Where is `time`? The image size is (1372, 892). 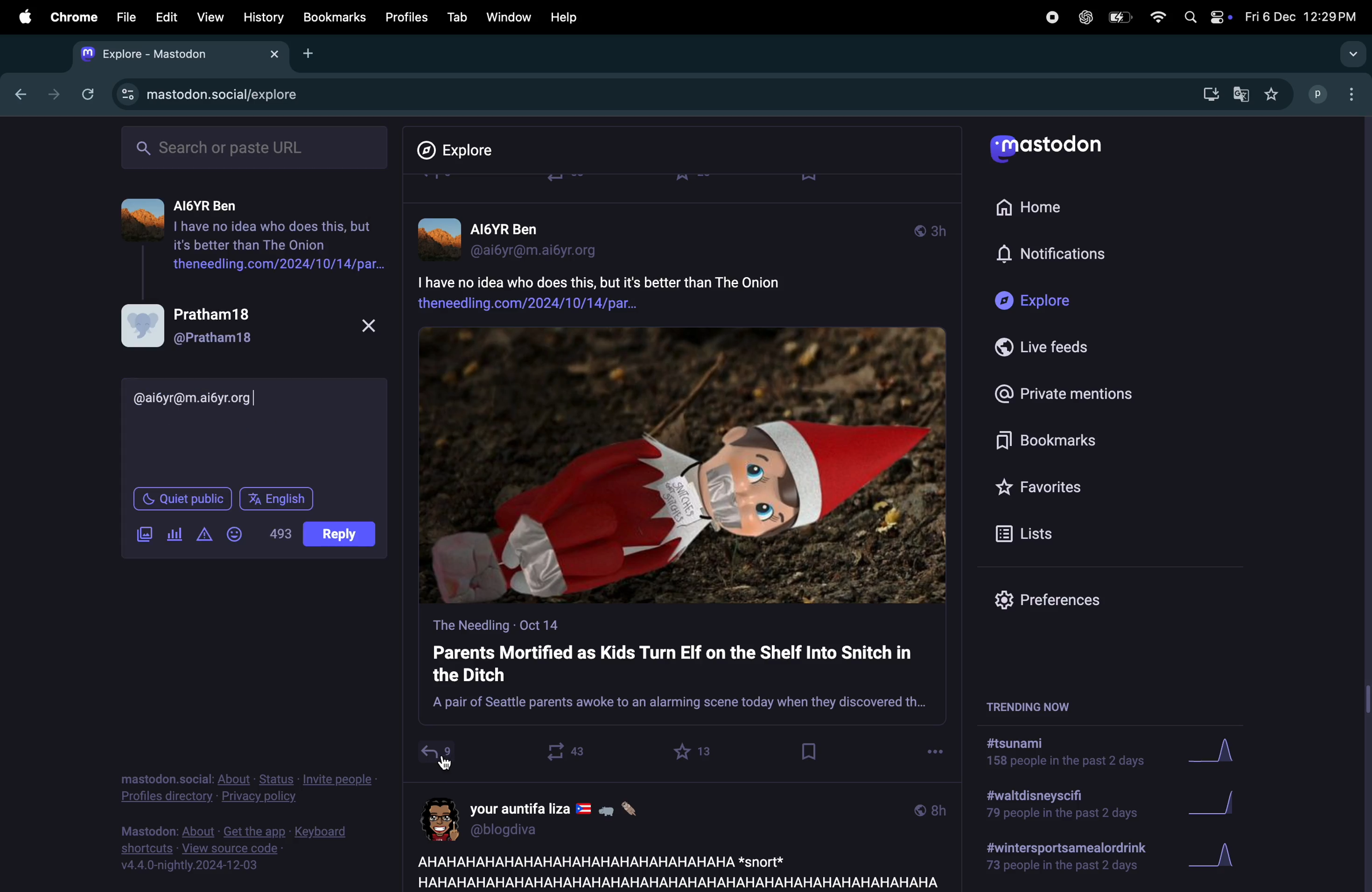
time is located at coordinates (930, 809).